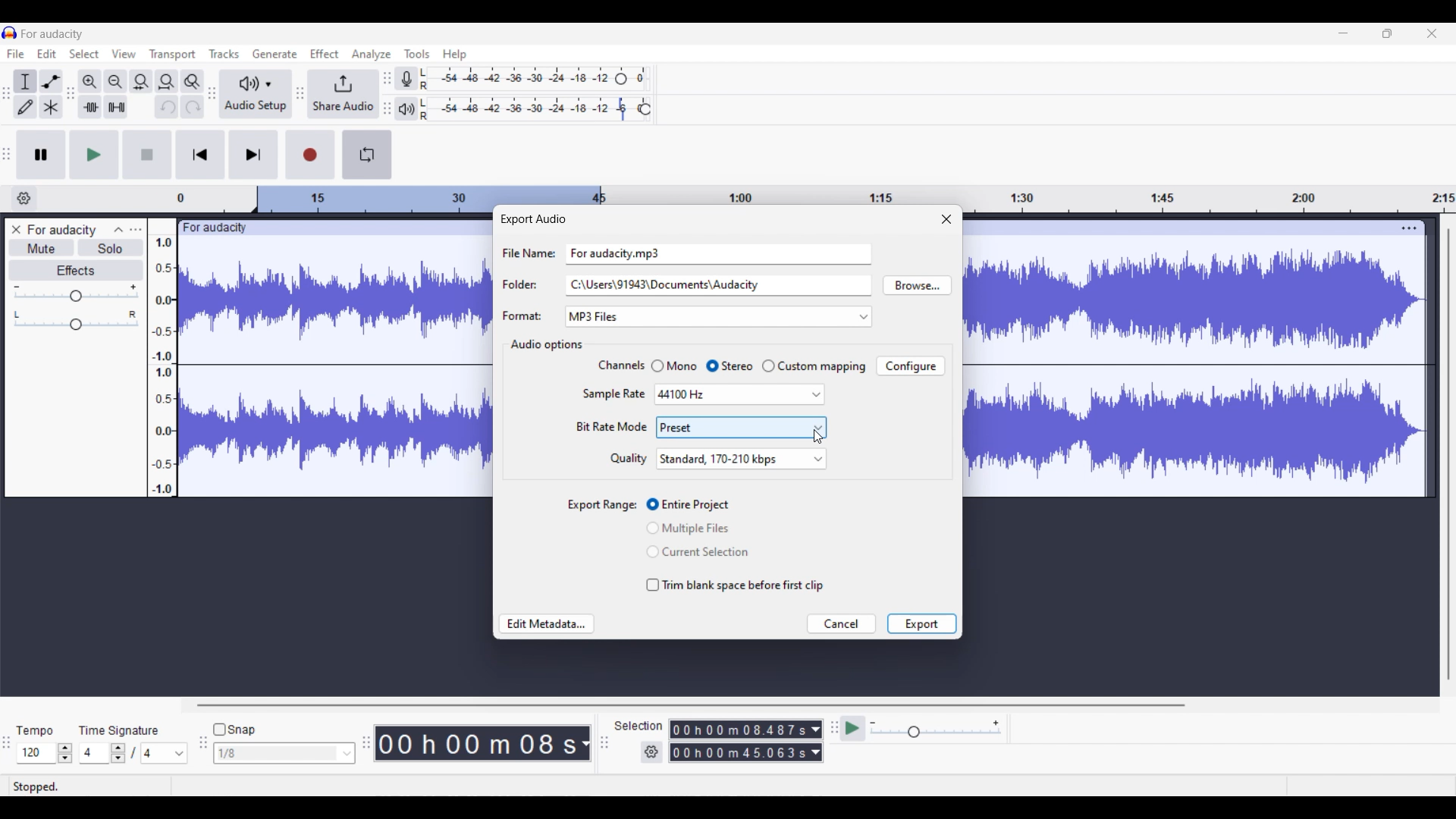 Image resolution: width=1456 pixels, height=819 pixels. What do you see at coordinates (698, 528) in the screenshot?
I see `Toggle for 'Multiple Files'` at bounding box center [698, 528].